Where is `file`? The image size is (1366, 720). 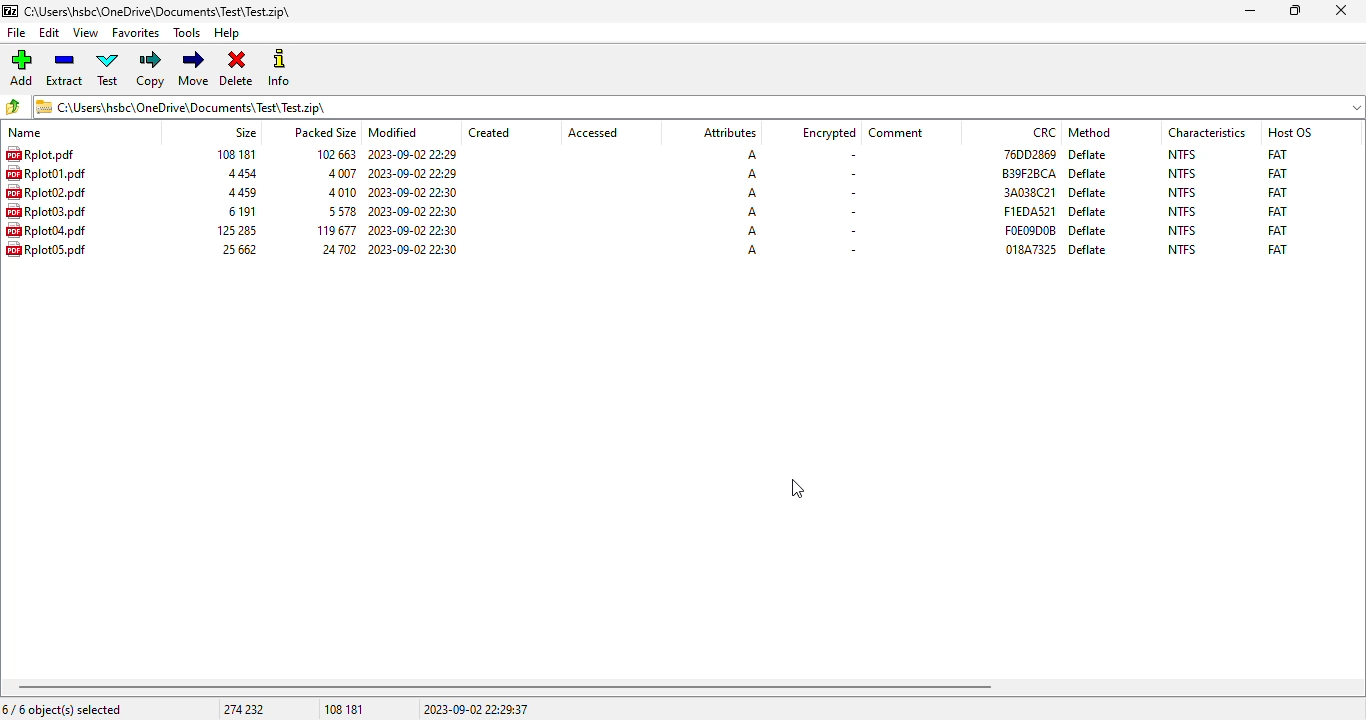 file is located at coordinates (46, 211).